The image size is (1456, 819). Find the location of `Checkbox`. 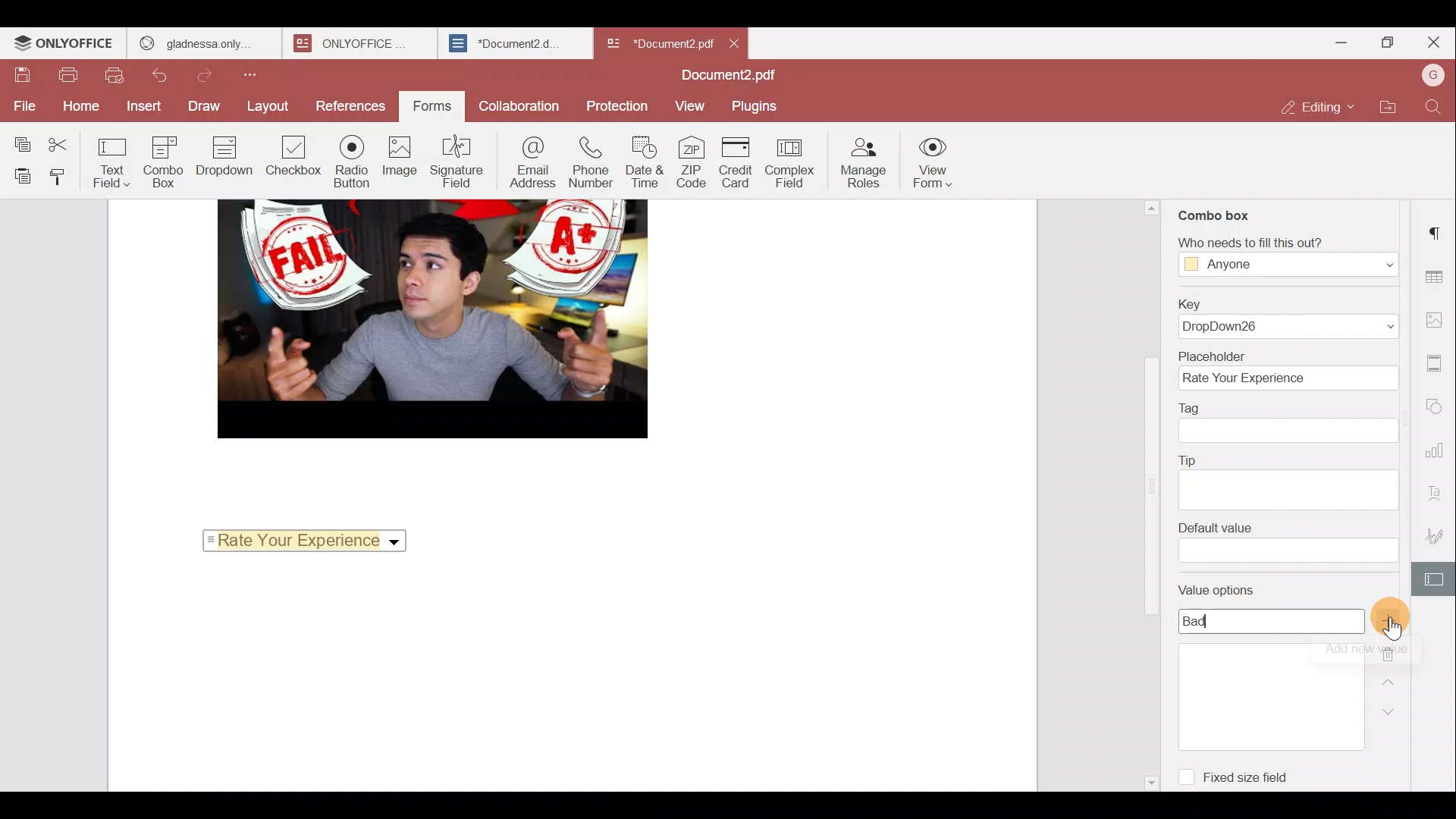

Checkbox is located at coordinates (290, 158).